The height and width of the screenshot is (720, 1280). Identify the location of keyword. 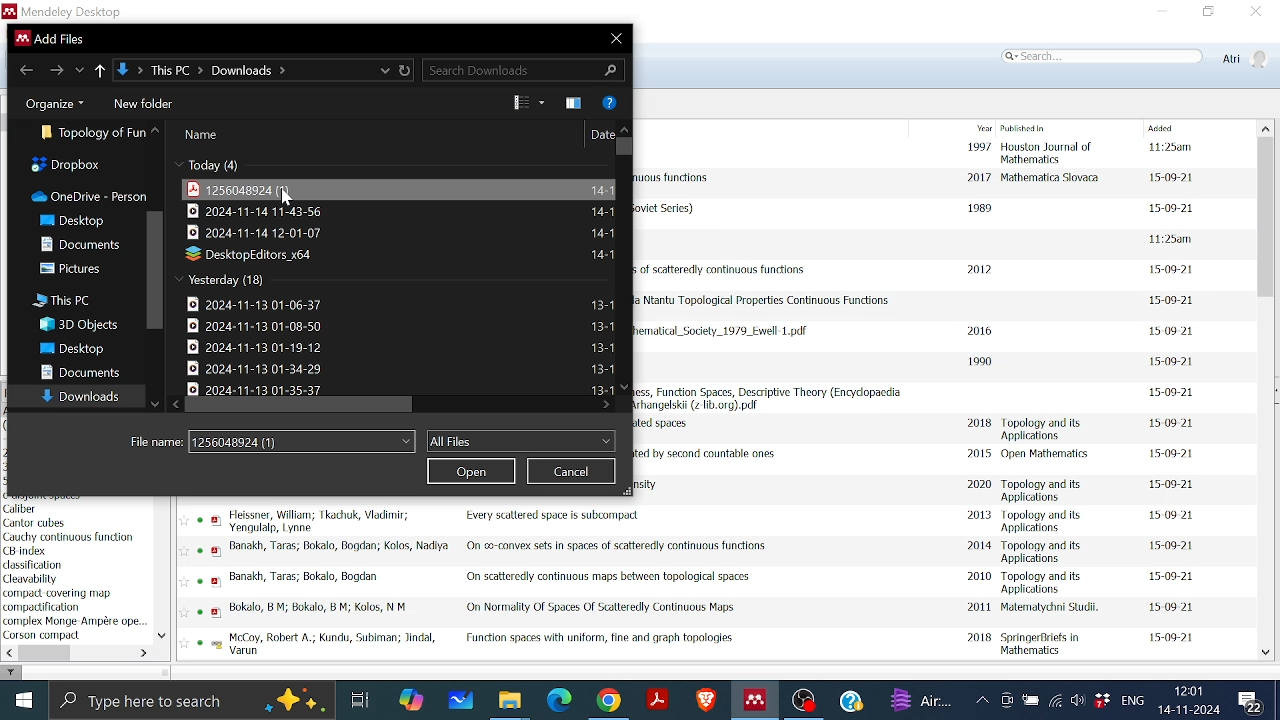
(34, 566).